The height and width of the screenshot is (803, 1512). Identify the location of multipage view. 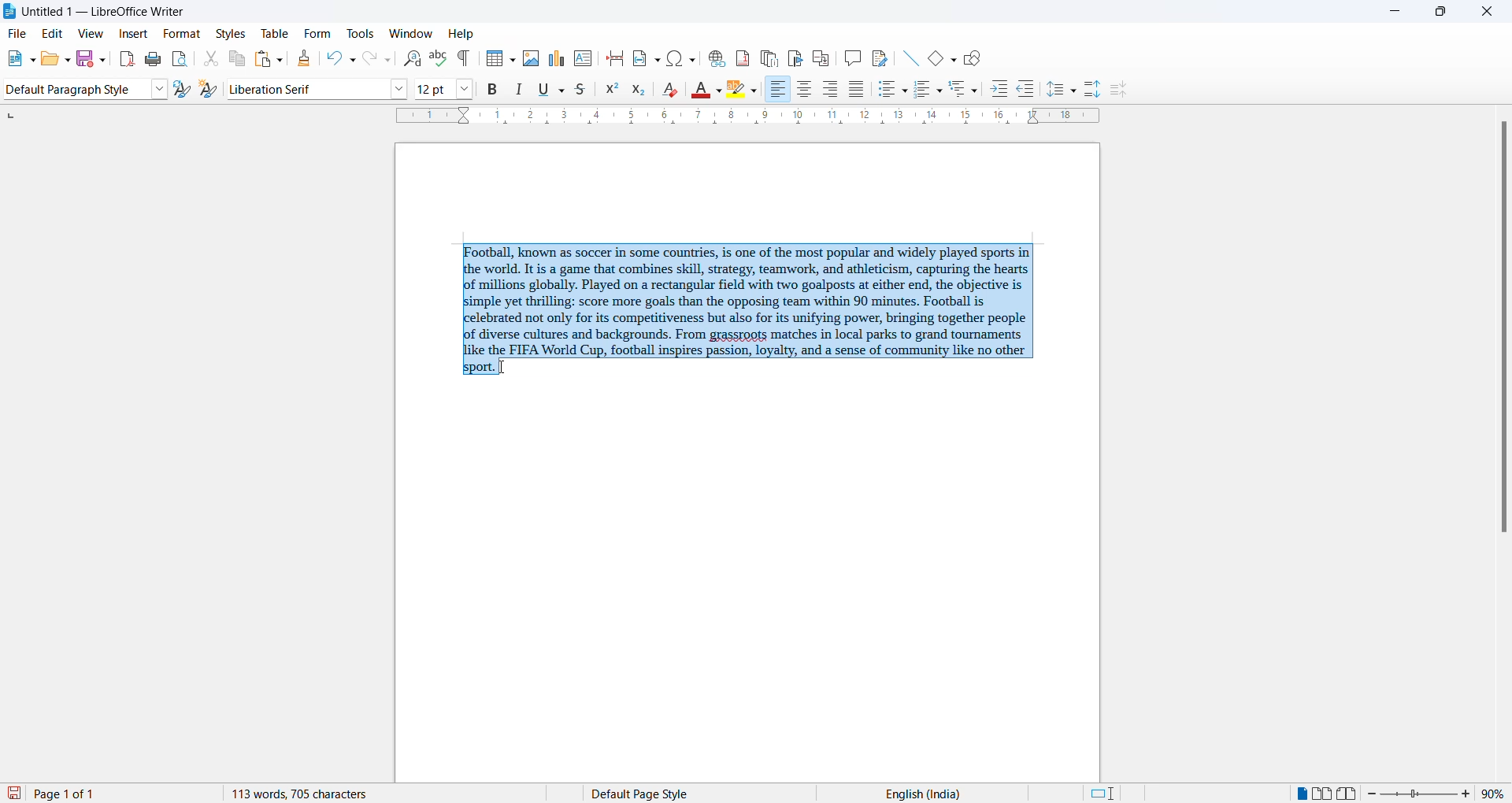
(1325, 795).